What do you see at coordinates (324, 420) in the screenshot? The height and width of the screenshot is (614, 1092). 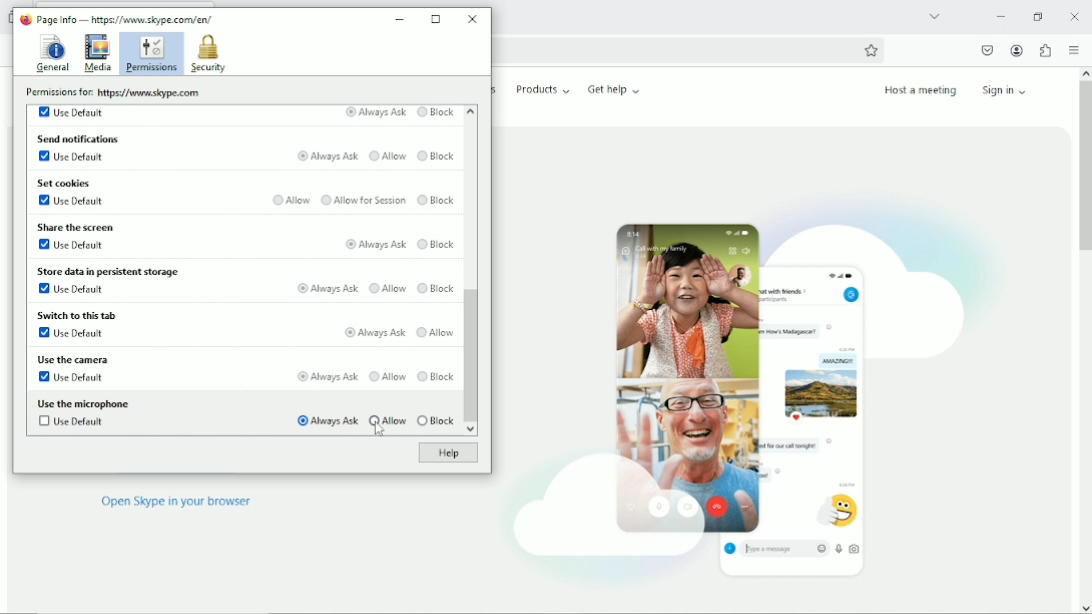 I see `Always ask` at bounding box center [324, 420].